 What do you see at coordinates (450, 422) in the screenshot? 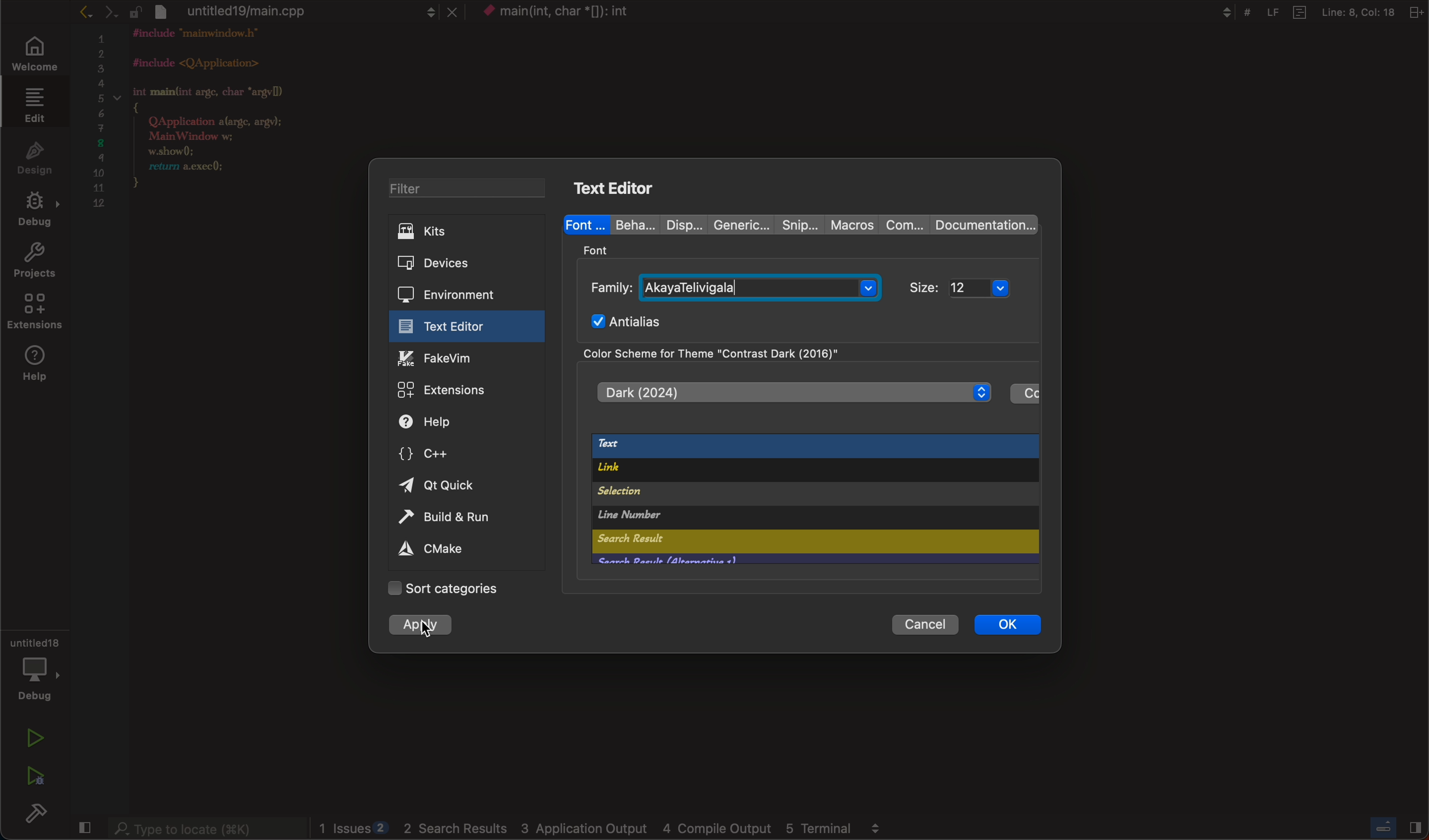
I see `help` at bounding box center [450, 422].